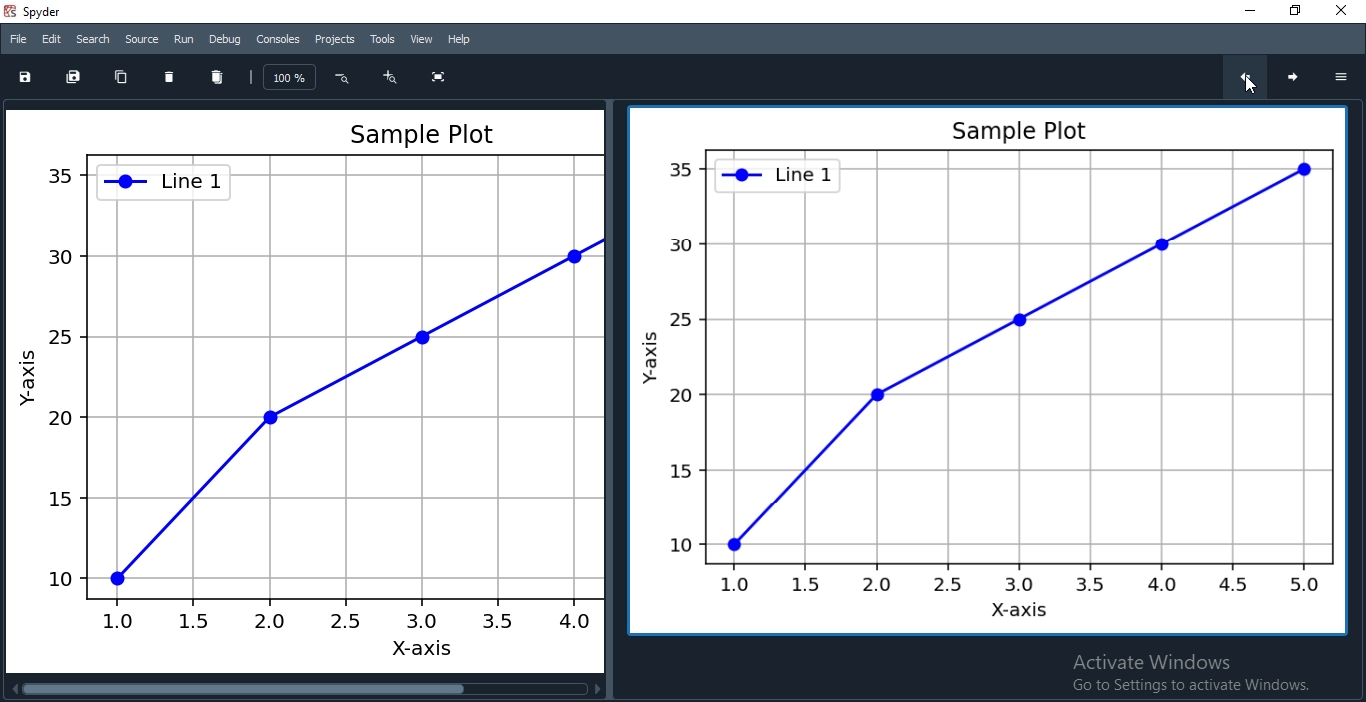  Describe the element at coordinates (1245, 78) in the screenshot. I see `previous chat` at that location.